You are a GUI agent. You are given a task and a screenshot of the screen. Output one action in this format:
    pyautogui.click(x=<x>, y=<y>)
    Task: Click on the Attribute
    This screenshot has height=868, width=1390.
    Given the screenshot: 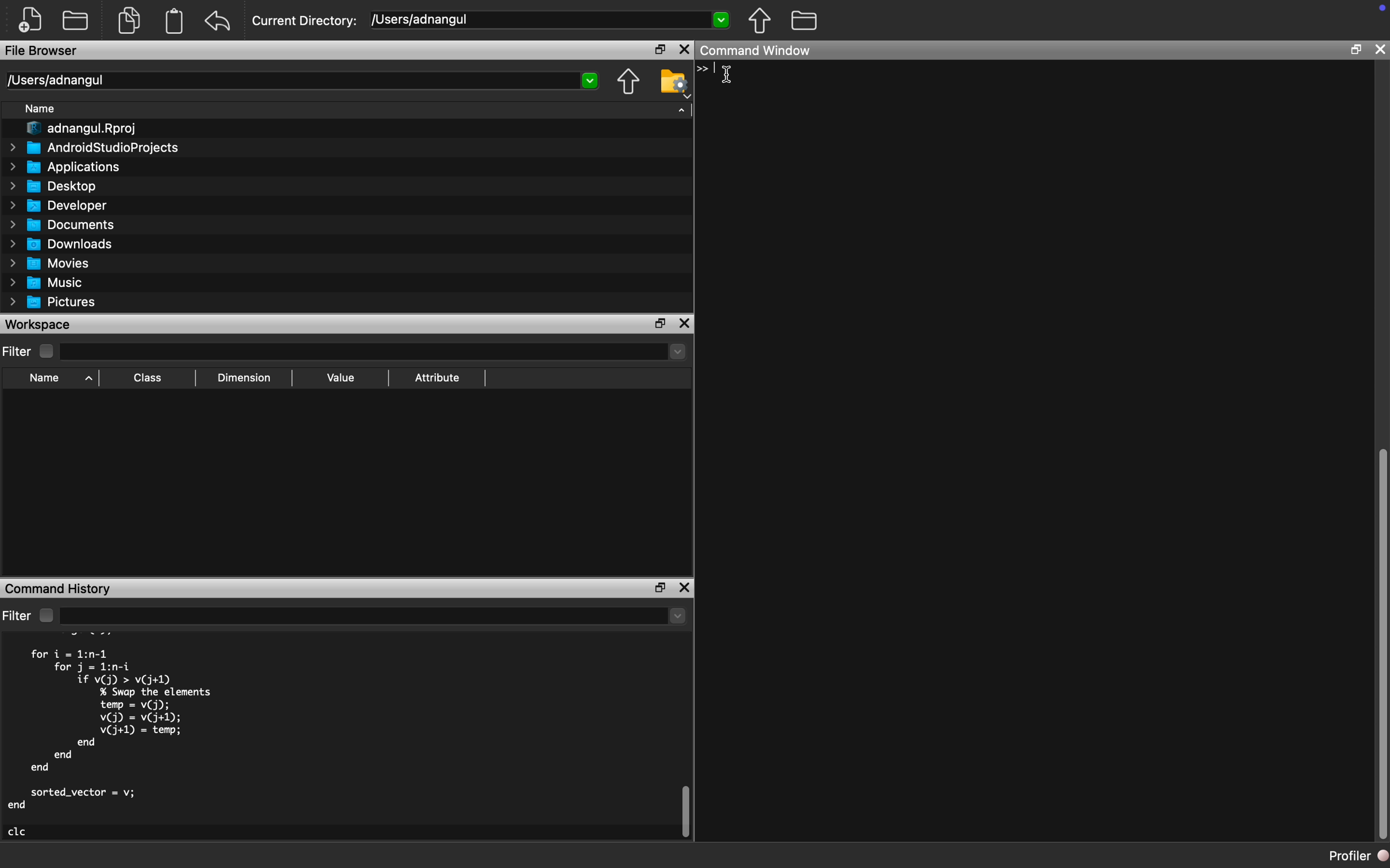 What is the action you would take?
    pyautogui.click(x=436, y=378)
    